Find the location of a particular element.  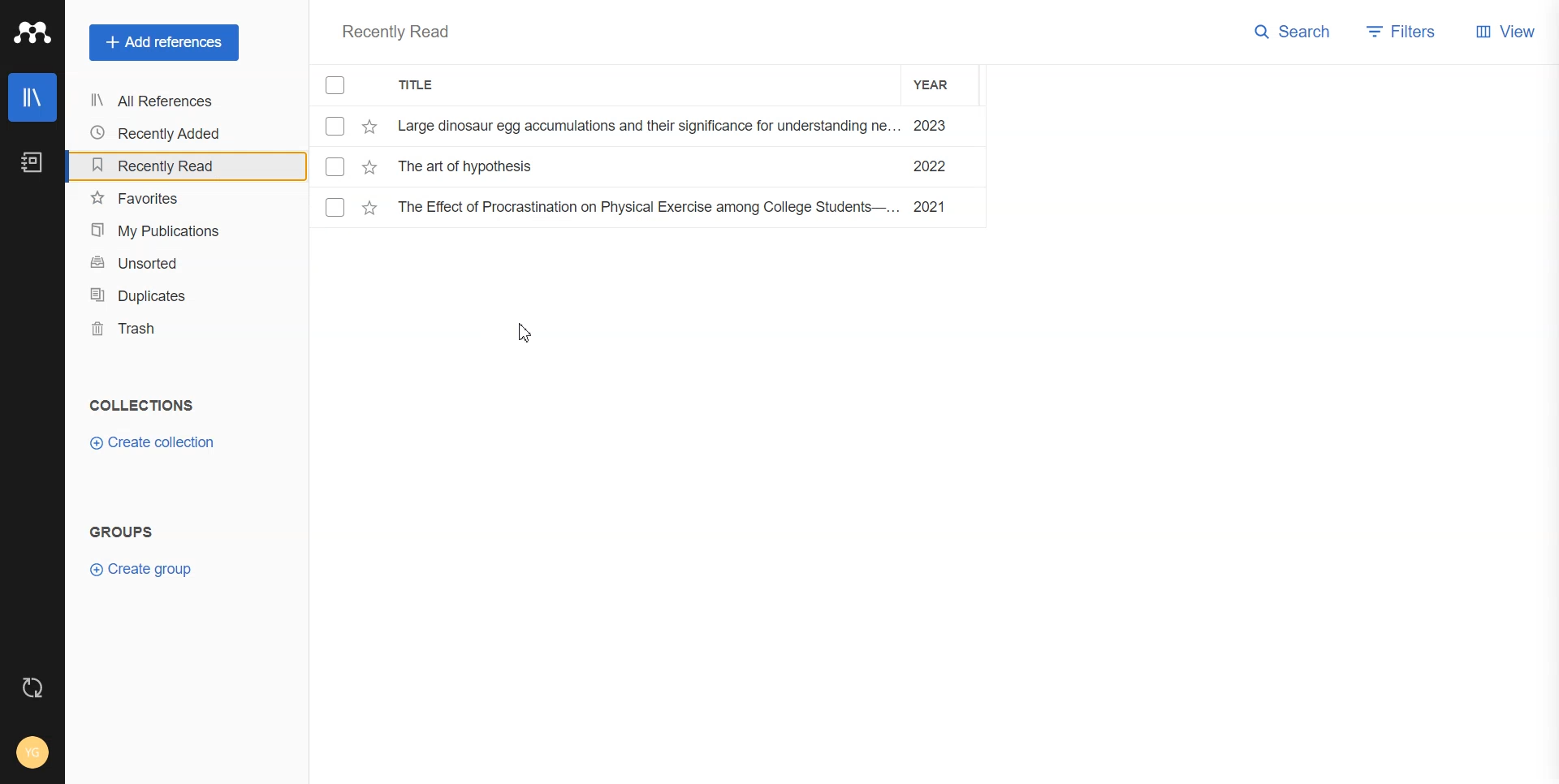

Add references is located at coordinates (164, 43).